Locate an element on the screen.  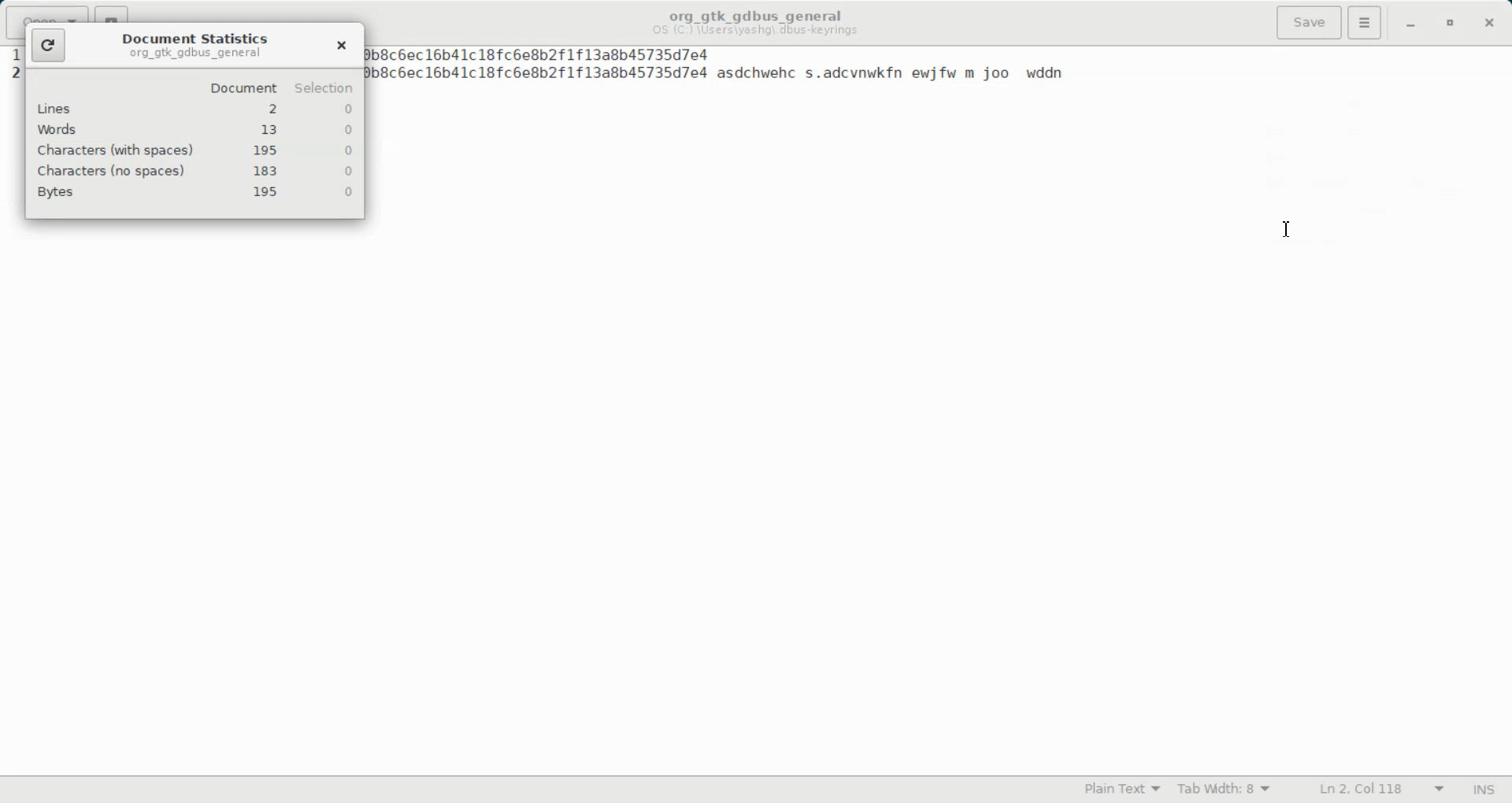
0 is located at coordinates (349, 107).